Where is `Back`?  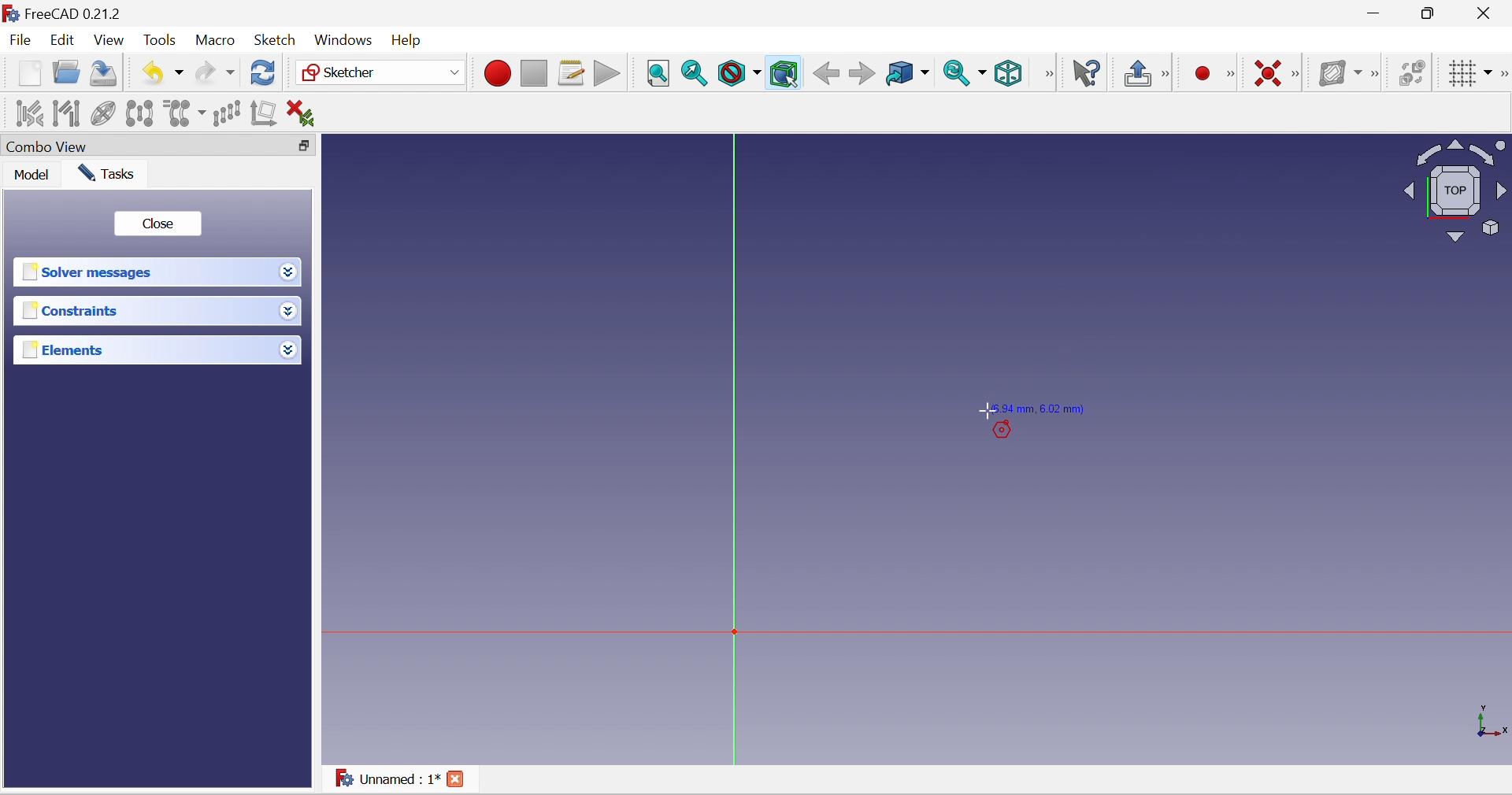
Back is located at coordinates (827, 74).